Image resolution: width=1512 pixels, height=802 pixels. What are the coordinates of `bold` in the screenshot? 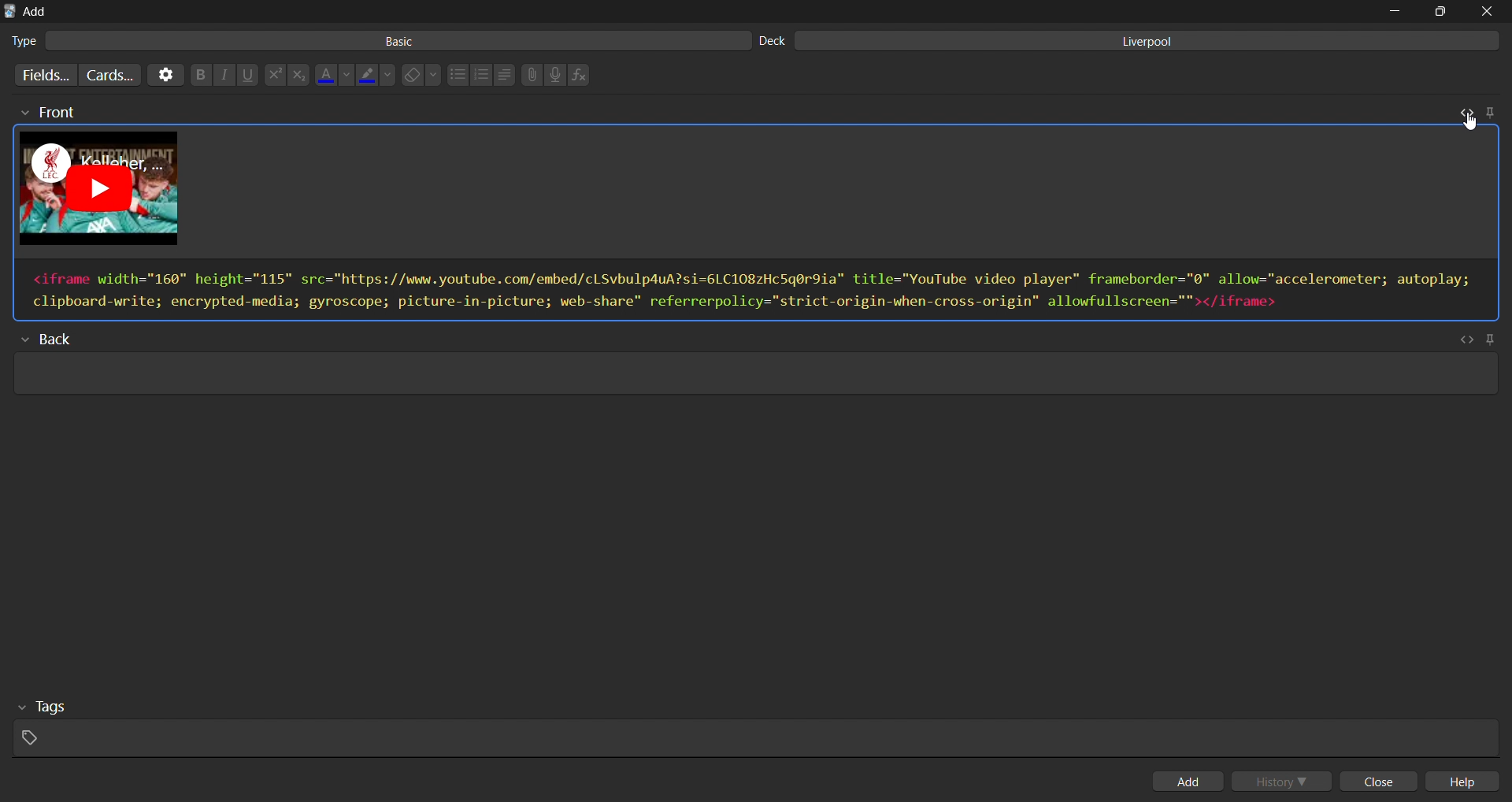 It's located at (198, 76).